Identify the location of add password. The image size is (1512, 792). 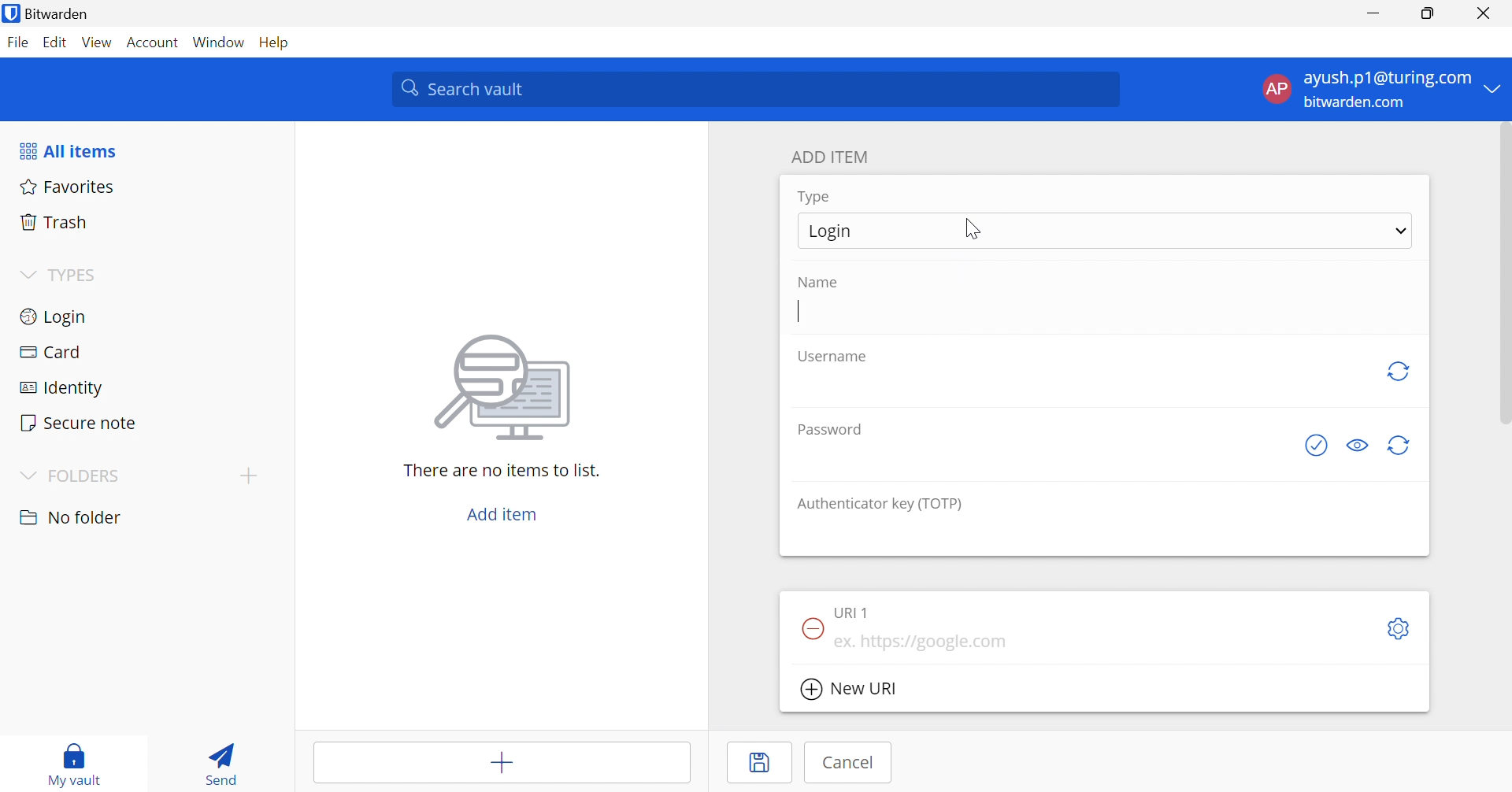
(1041, 459).